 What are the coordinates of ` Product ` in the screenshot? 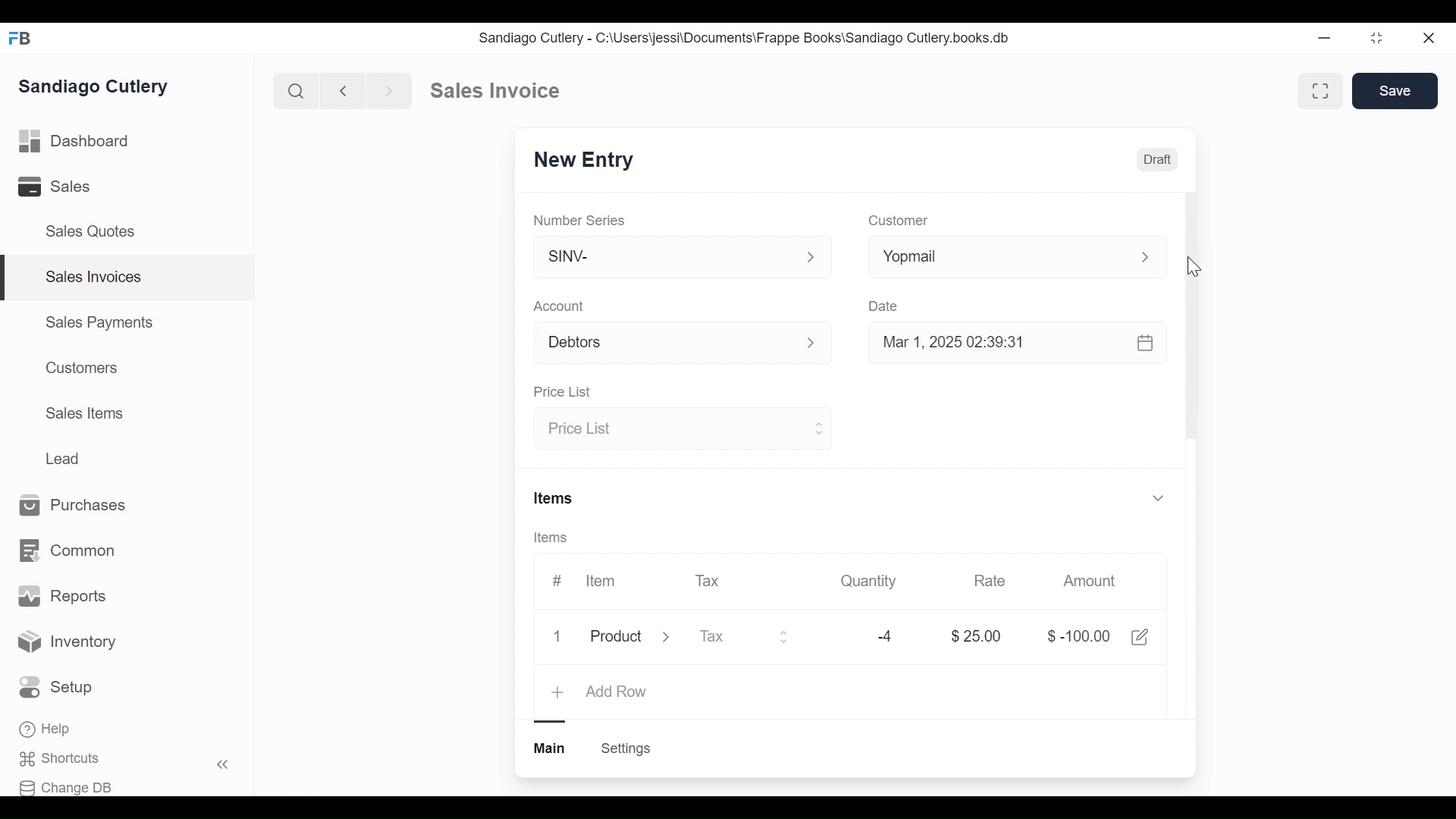 It's located at (628, 638).